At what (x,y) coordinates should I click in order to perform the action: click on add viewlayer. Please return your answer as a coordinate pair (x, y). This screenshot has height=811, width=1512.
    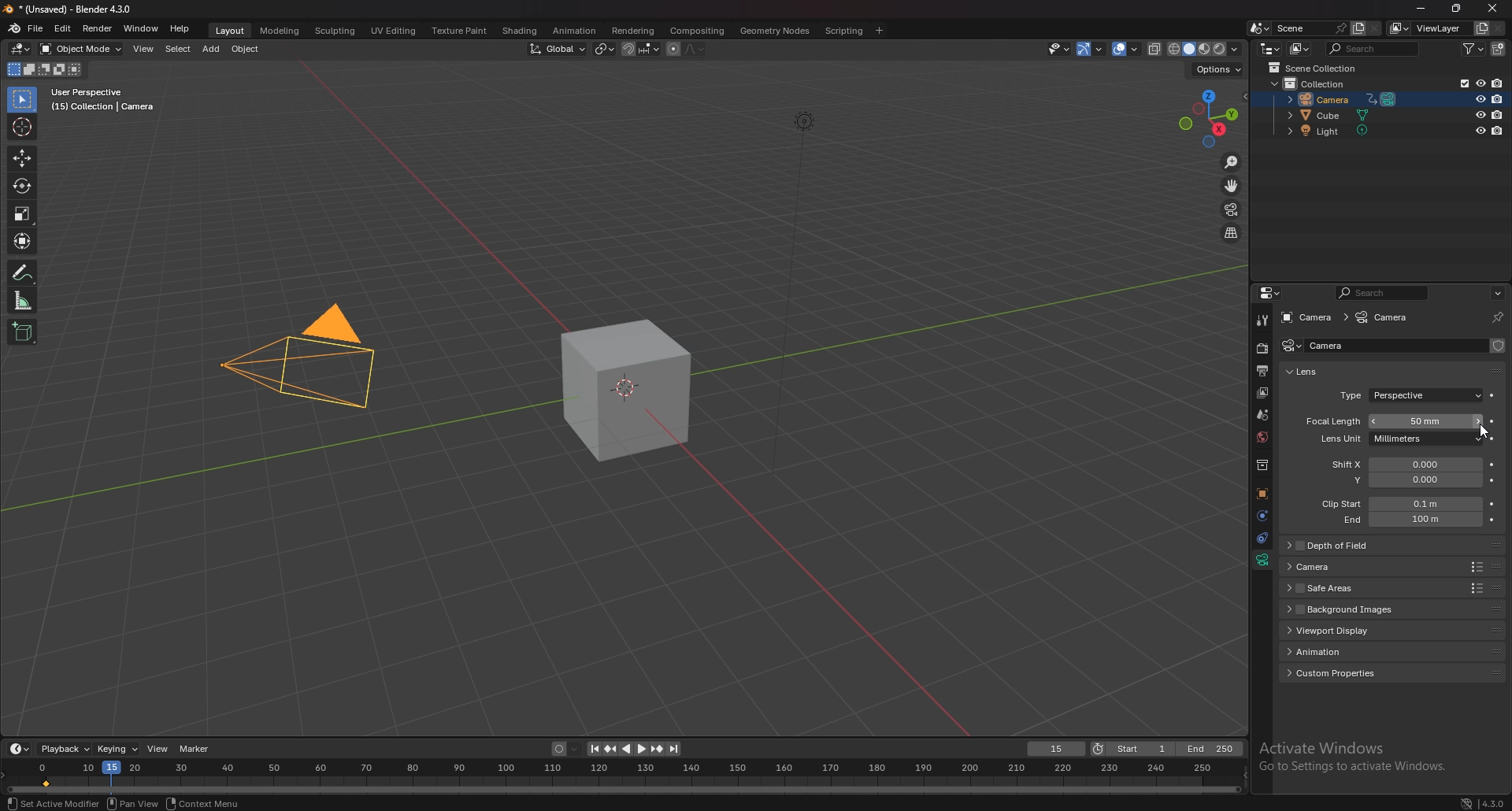
    Looking at the image, I should click on (1481, 27).